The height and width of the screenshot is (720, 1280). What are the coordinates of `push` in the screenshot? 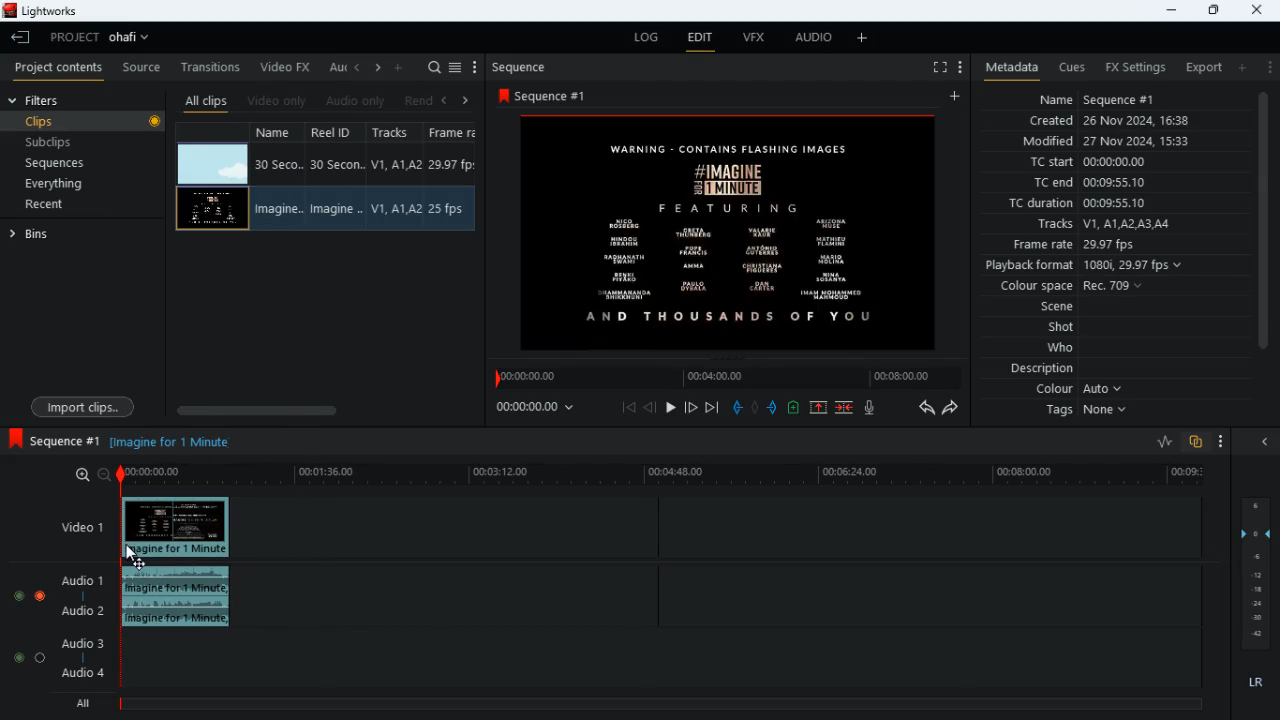 It's located at (773, 409).